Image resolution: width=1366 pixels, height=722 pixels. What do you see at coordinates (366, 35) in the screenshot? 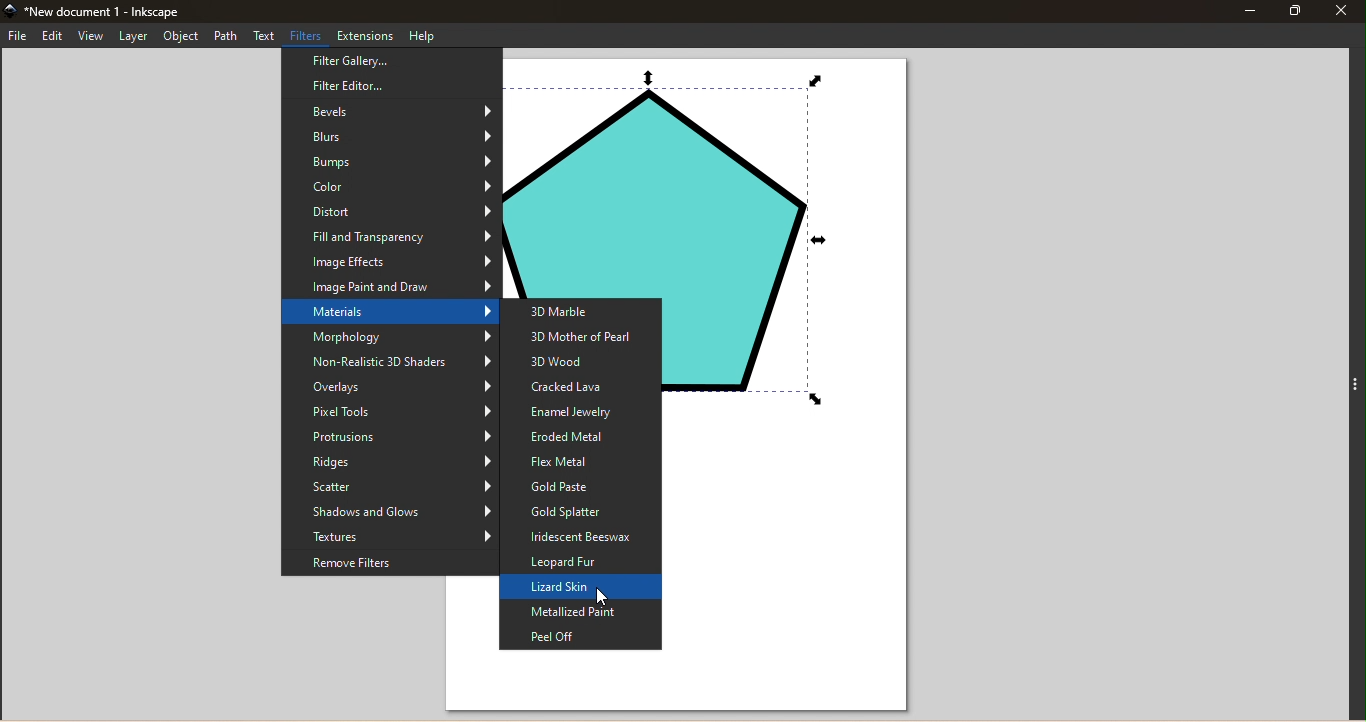
I see `Extensions` at bounding box center [366, 35].